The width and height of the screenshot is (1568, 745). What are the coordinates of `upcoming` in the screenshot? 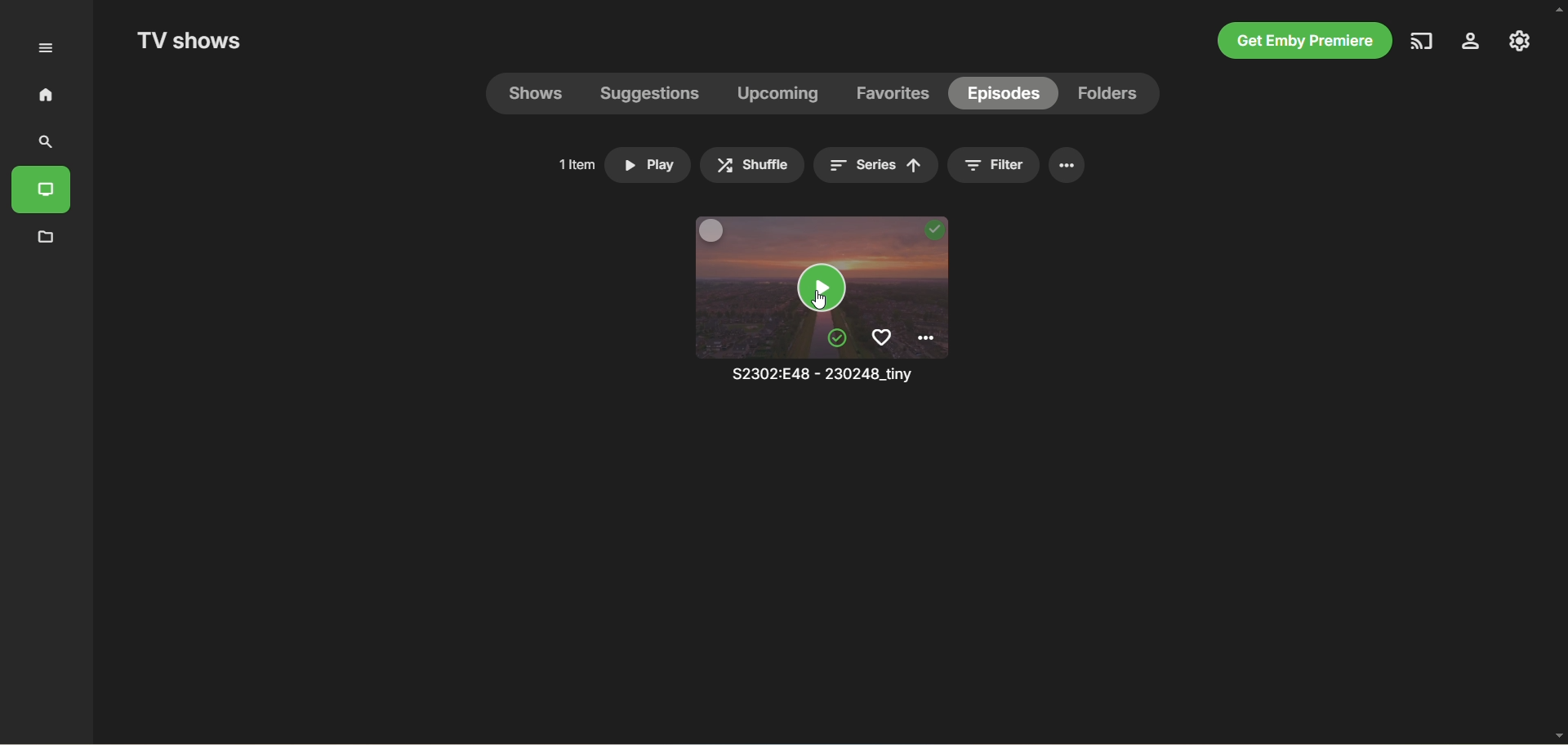 It's located at (777, 93).